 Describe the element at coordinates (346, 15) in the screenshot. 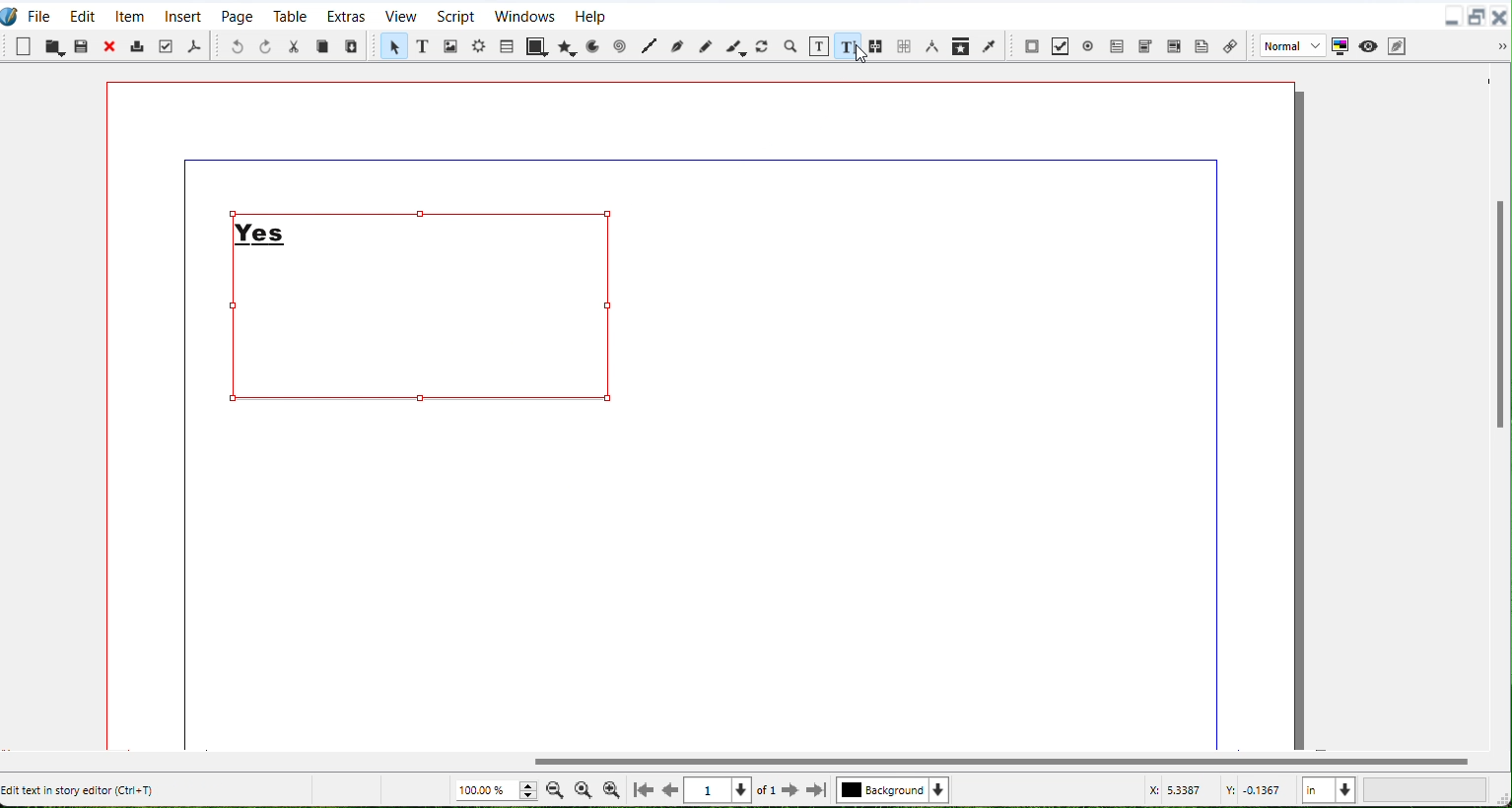

I see `Extras` at that location.